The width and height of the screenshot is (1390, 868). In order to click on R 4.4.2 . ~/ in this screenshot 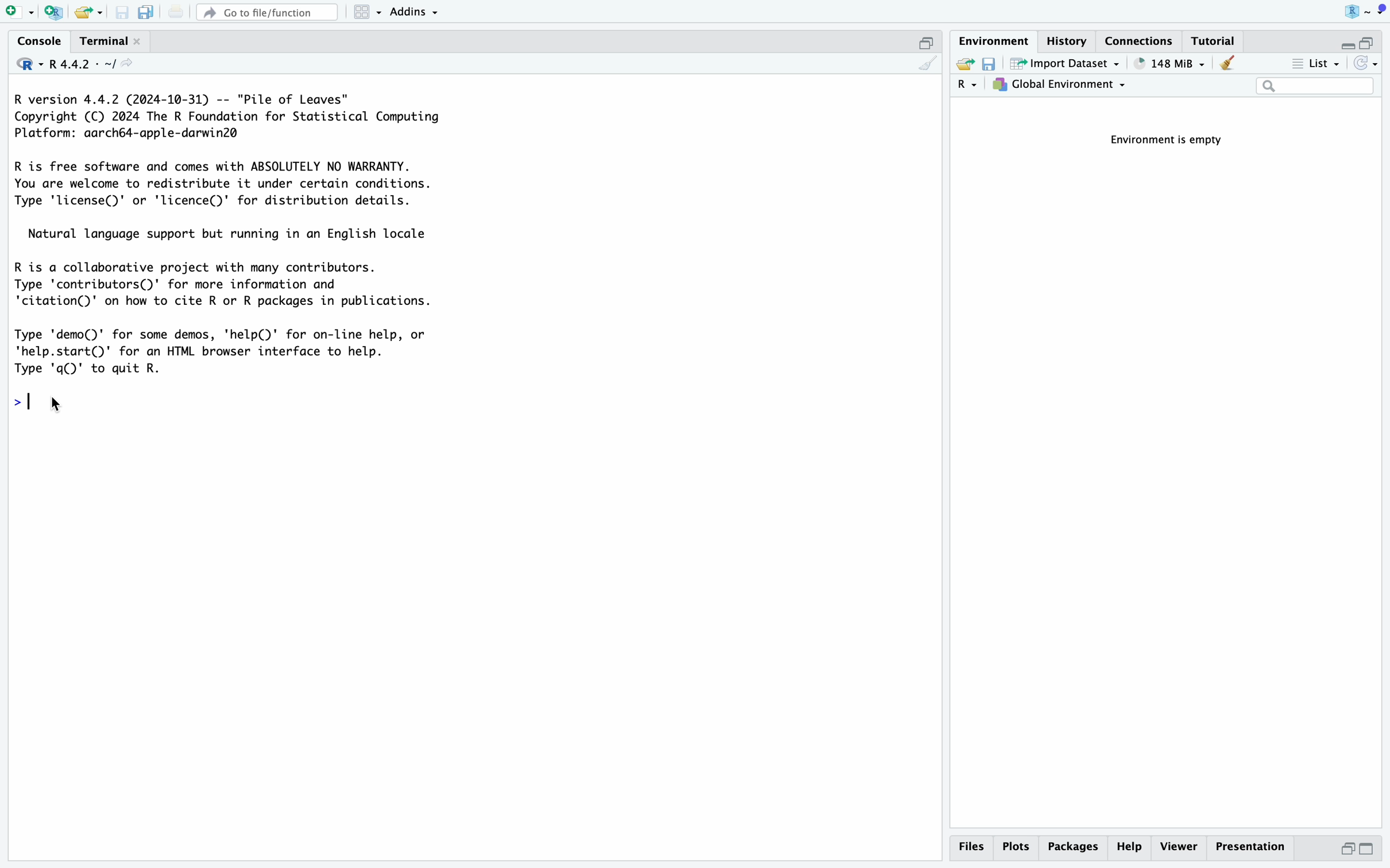, I will do `click(84, 63)`.